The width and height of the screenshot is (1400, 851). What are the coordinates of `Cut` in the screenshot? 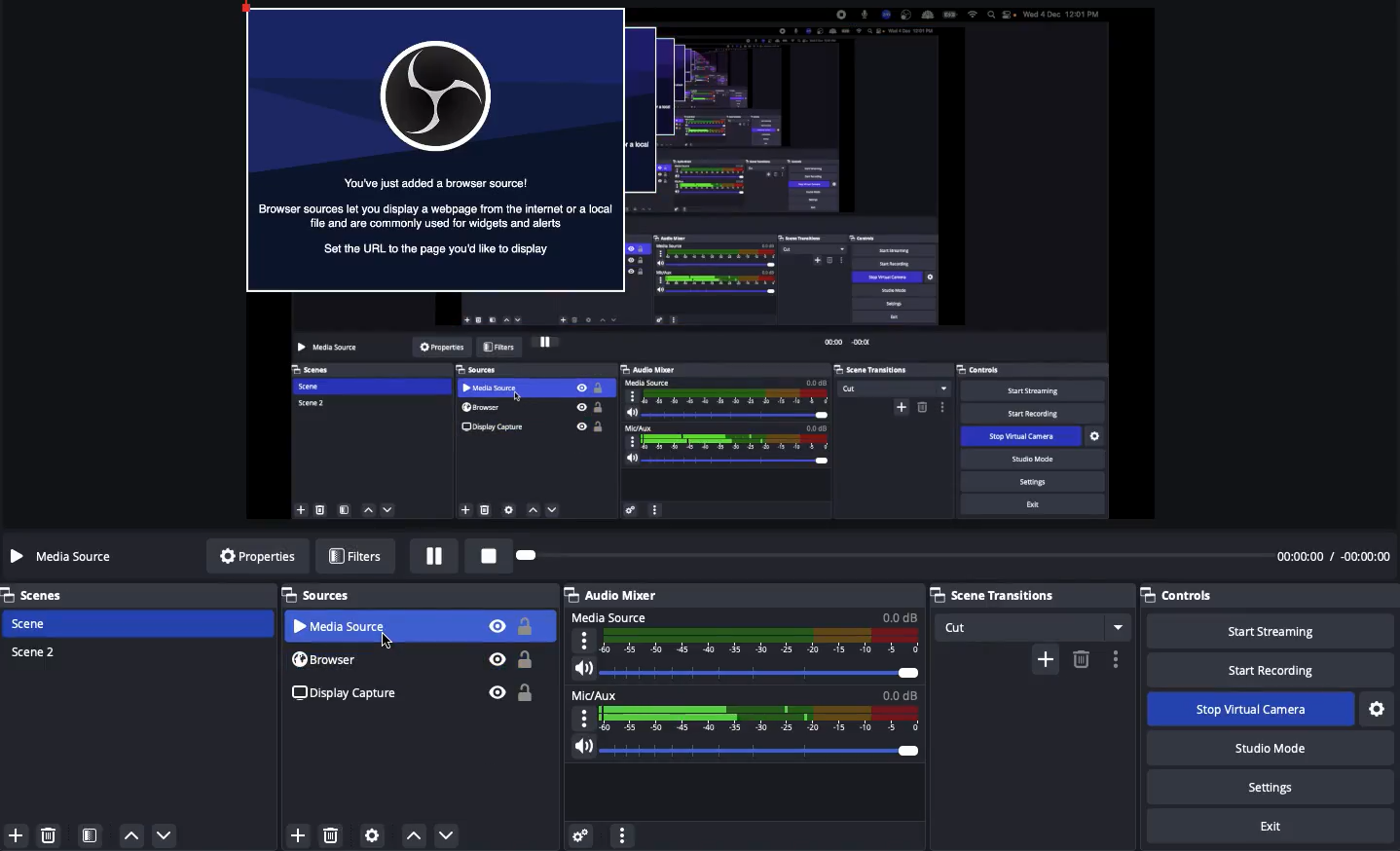 It's located at (1036, 627).